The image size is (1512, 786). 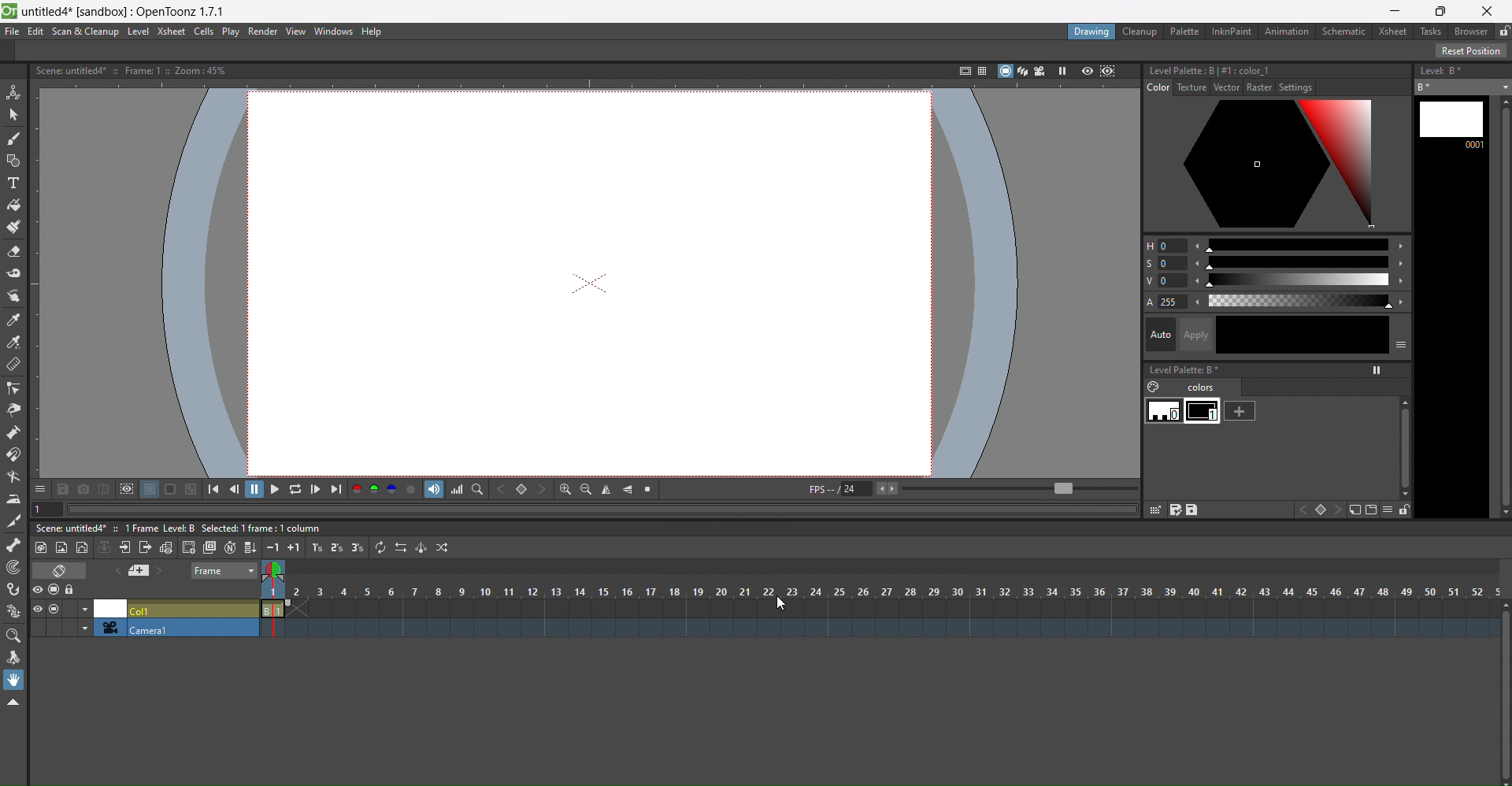 What do you see at coordinates (1240, 410) in the screenshot?
I see `add` at bounding box center [1240, 410].